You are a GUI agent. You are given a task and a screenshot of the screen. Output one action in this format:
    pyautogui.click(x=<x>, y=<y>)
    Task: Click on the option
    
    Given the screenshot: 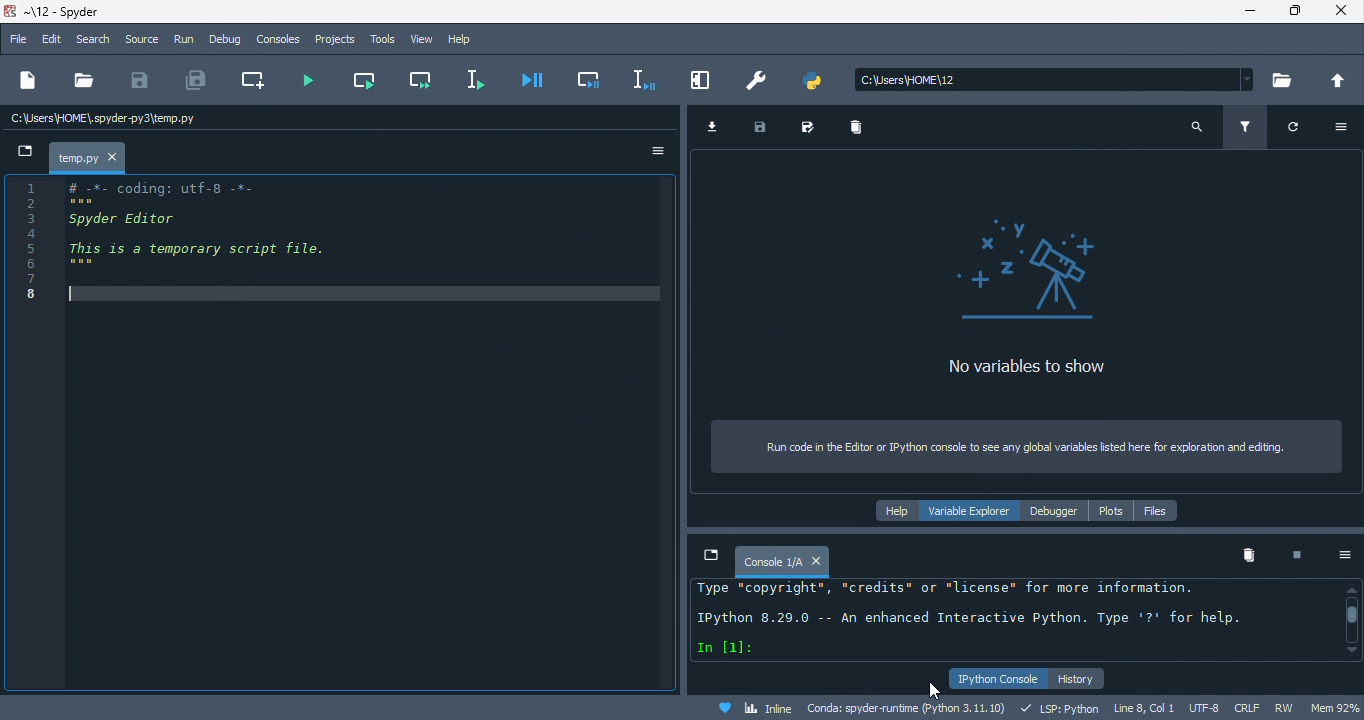 What is the action you would take?
    pyautogui.click(x=1337, y=555)
    